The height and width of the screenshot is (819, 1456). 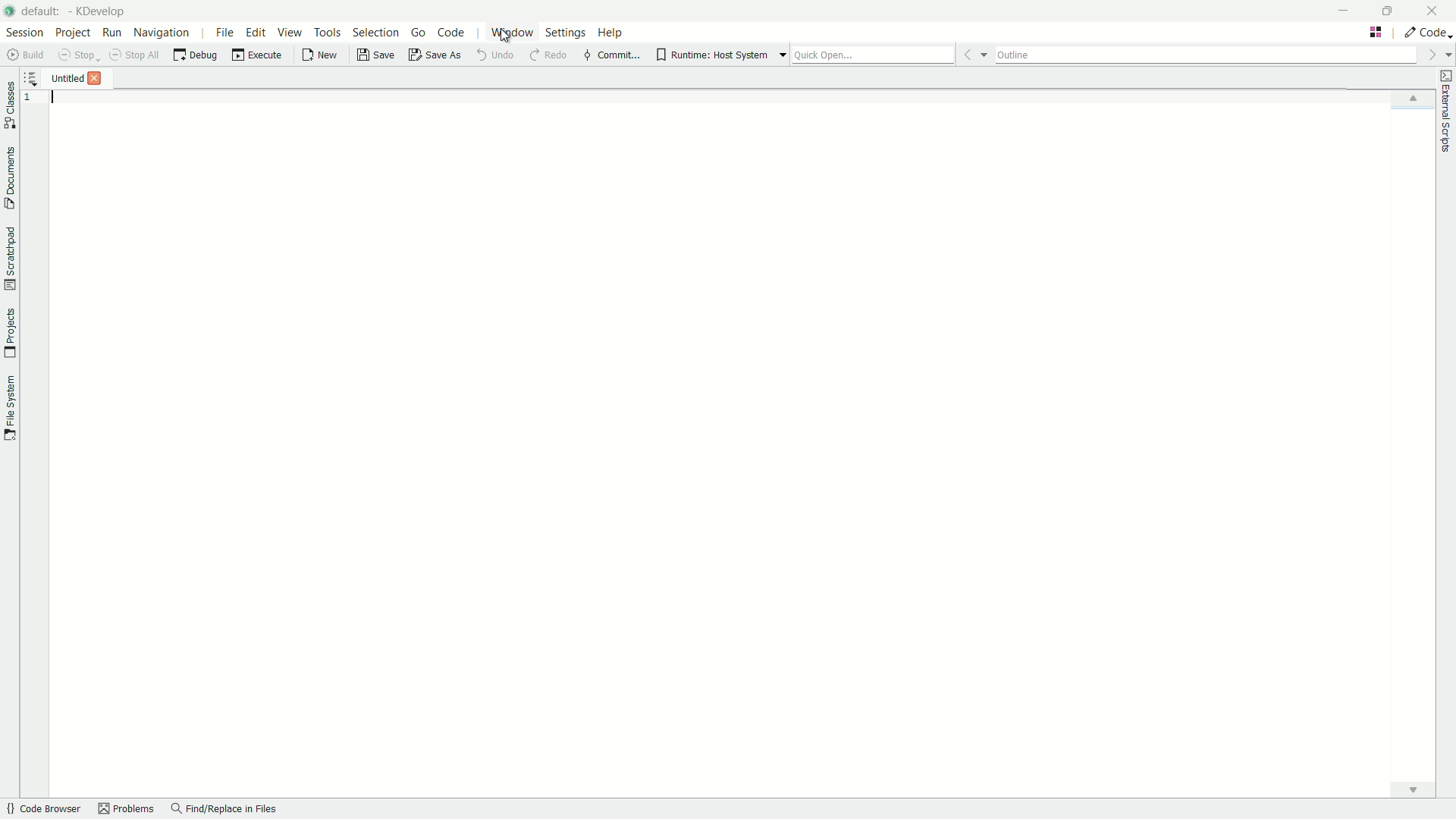 I want to click on window menu, so click(x=513, y=33).